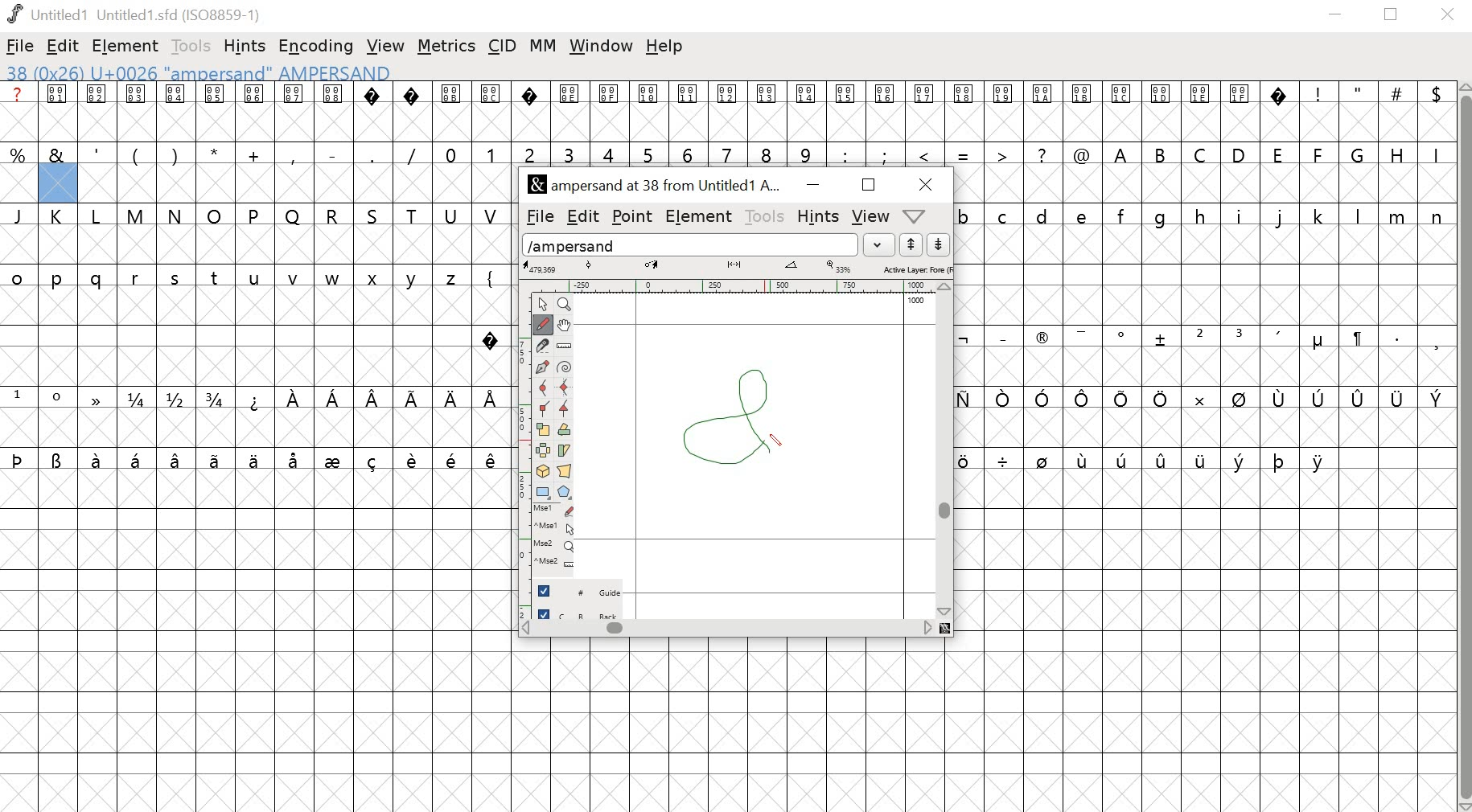  What do you see at coordinates (1436, 397) in the screenshot?
I see `symbol` at bounding box center [1436, 397].